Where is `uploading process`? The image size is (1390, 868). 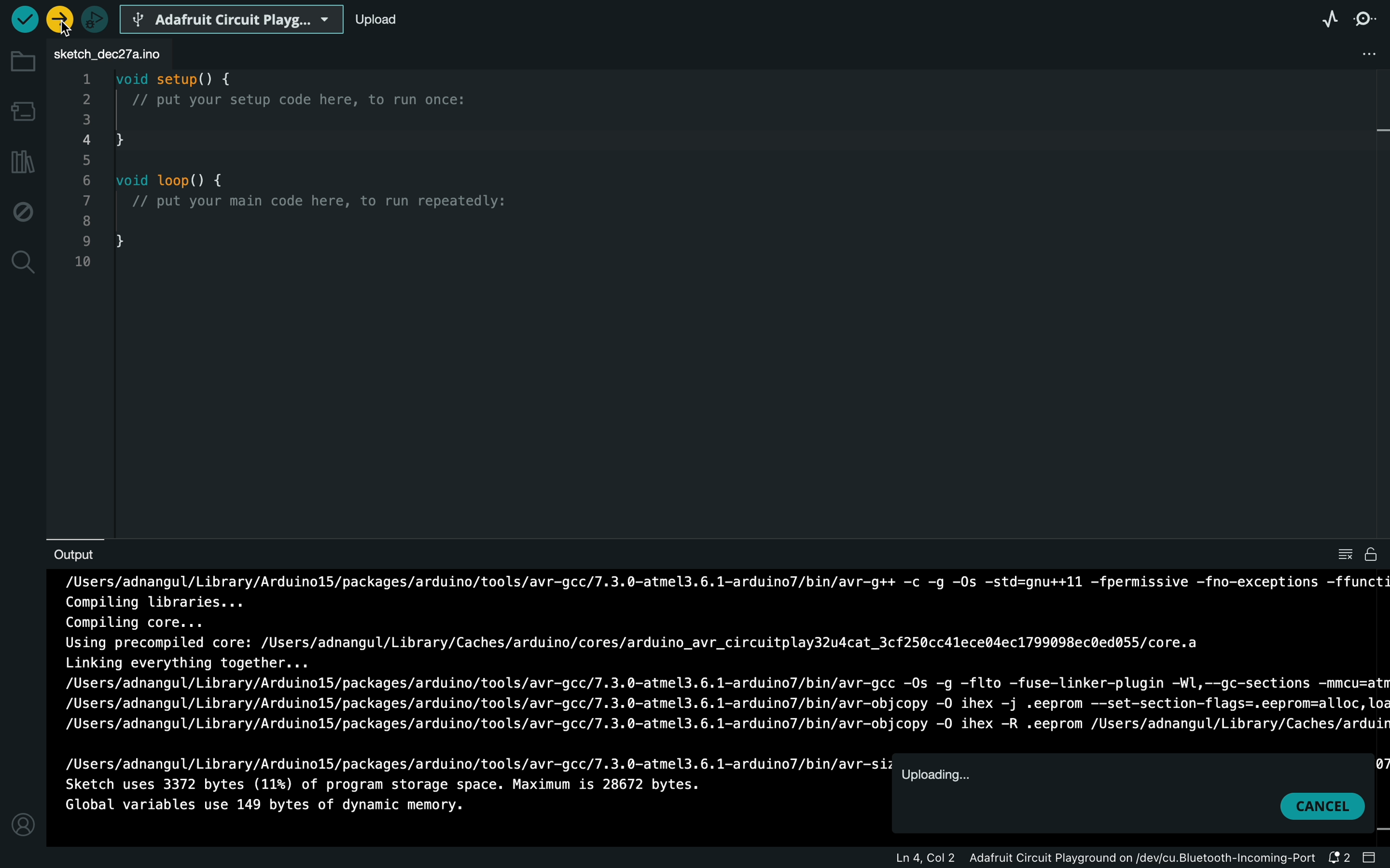
uploading process is located at coordinates (466, 792).